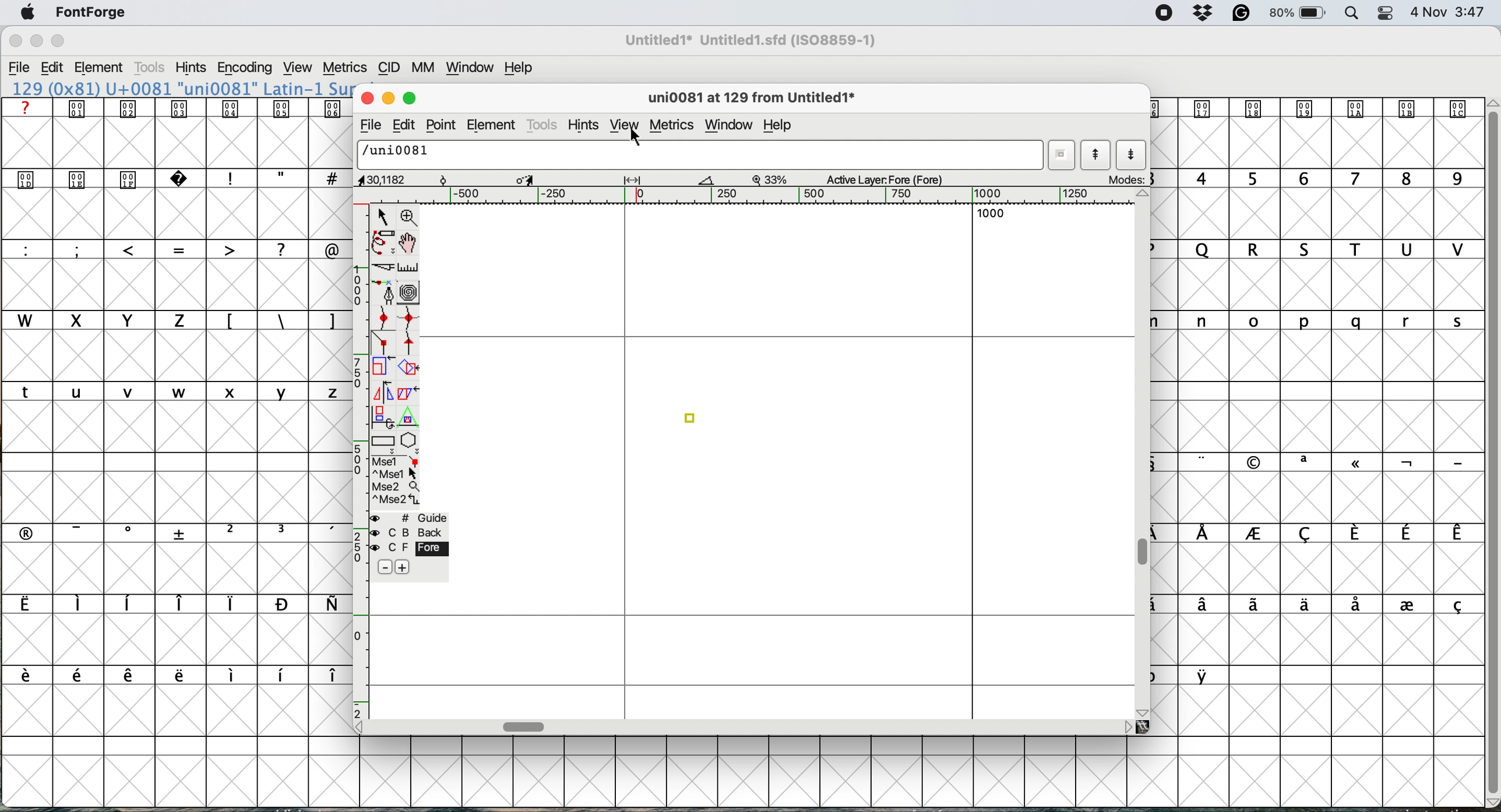 This screenshot has width=1501, height=812. What do you see at coordinates (526, 180) in the screenshot?
I see `Scale/Transform Tool` at bounding box center [526, 180].